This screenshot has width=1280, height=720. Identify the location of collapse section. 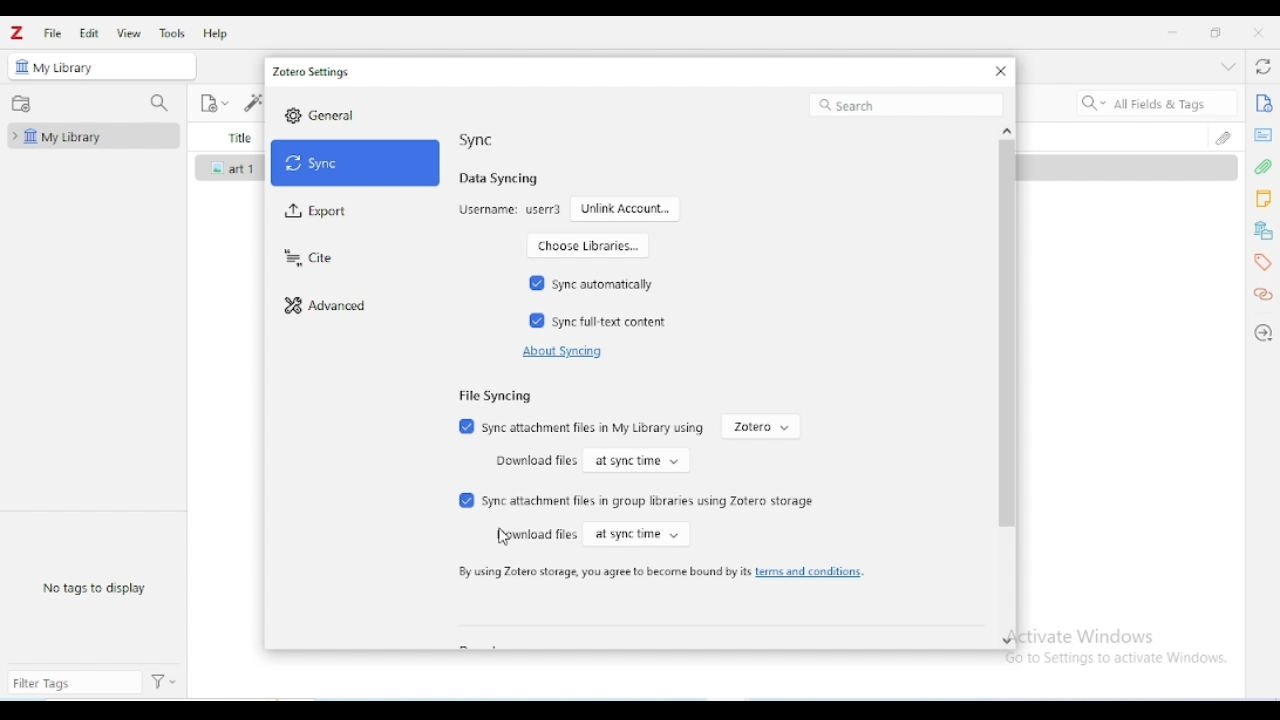
(1228, 66).